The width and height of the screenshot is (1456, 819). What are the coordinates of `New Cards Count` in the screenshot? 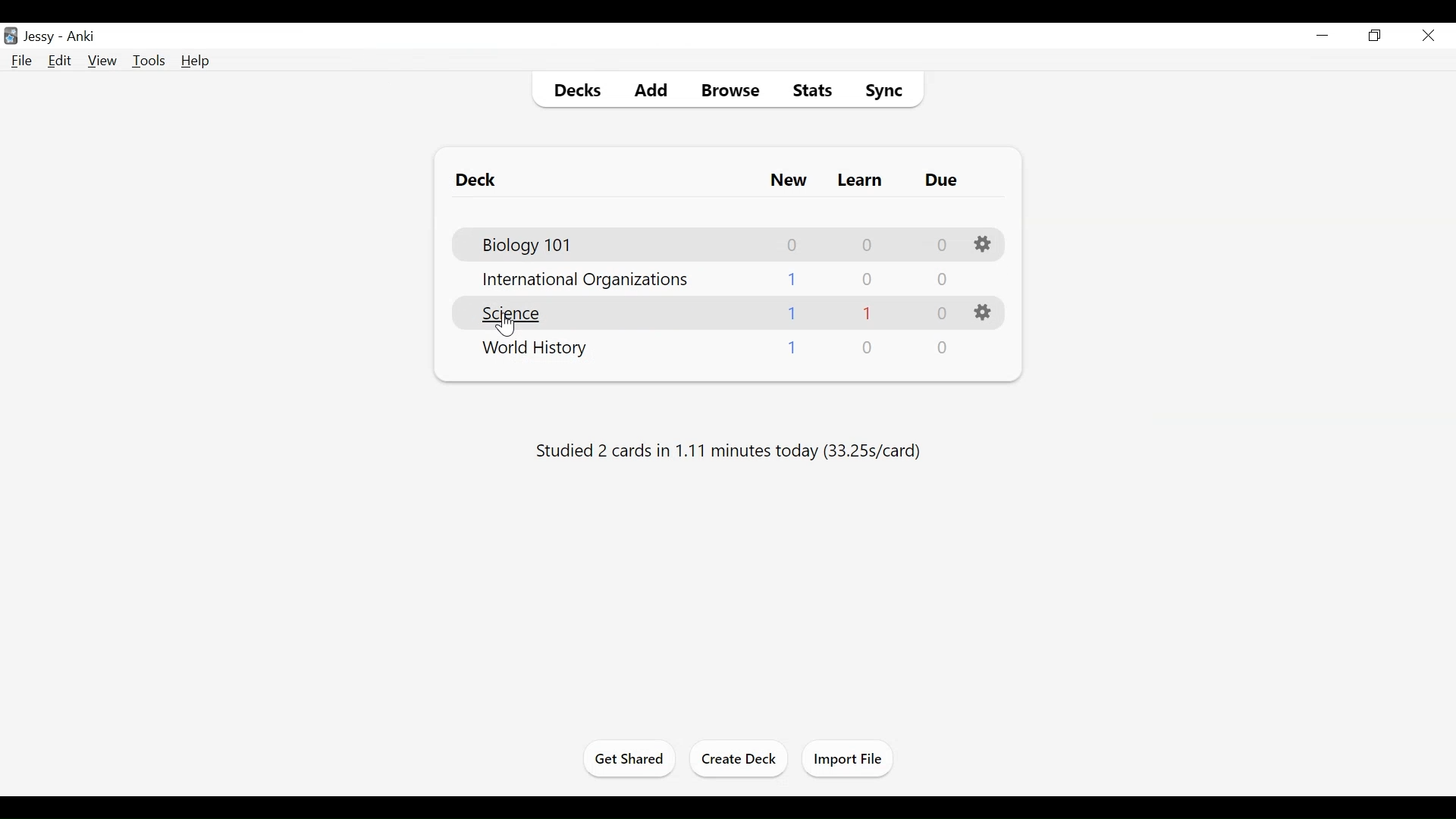 It's located at (792, 244).